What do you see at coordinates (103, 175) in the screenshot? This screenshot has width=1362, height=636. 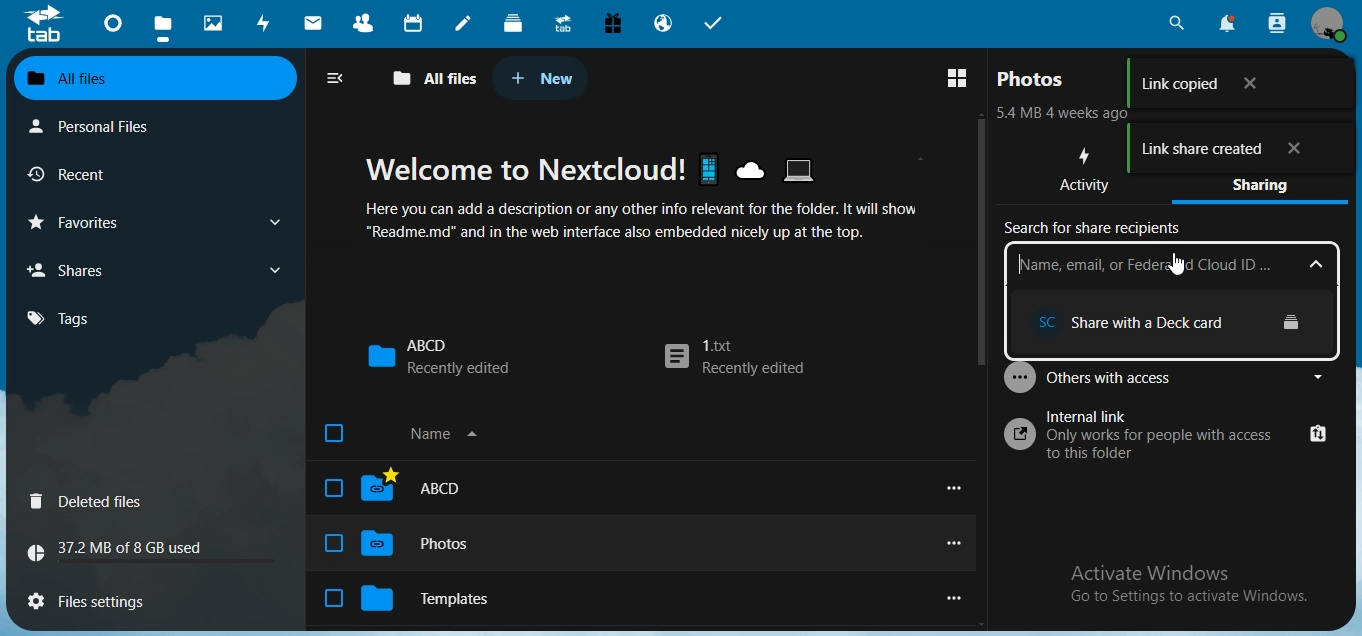 I see `recent` at bounding box center [103, 175].